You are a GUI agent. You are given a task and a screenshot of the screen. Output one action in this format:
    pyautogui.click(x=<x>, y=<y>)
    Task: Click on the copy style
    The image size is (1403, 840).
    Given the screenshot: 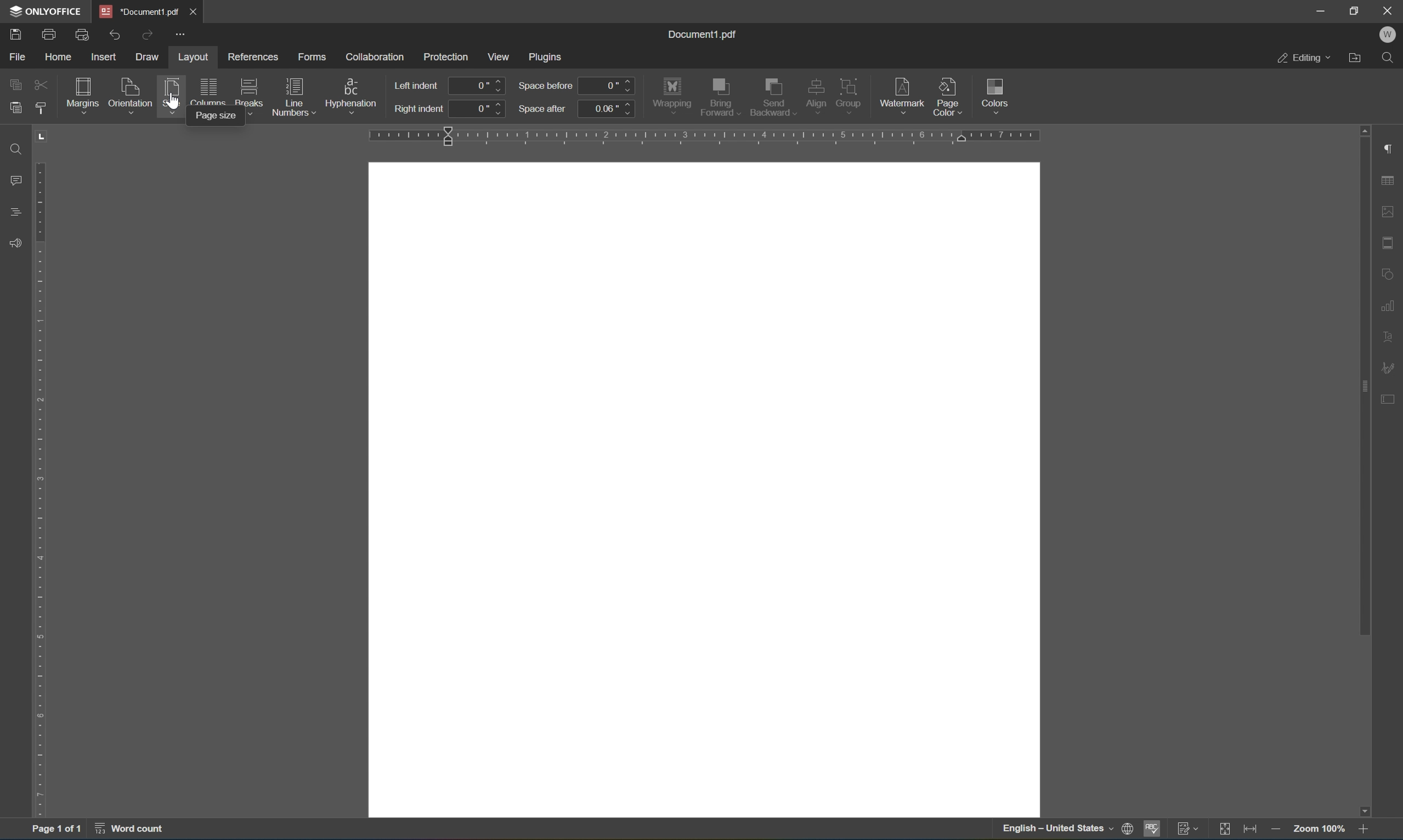 What is the action you would take?
    pyautogui.click(x=41, y=108)
    